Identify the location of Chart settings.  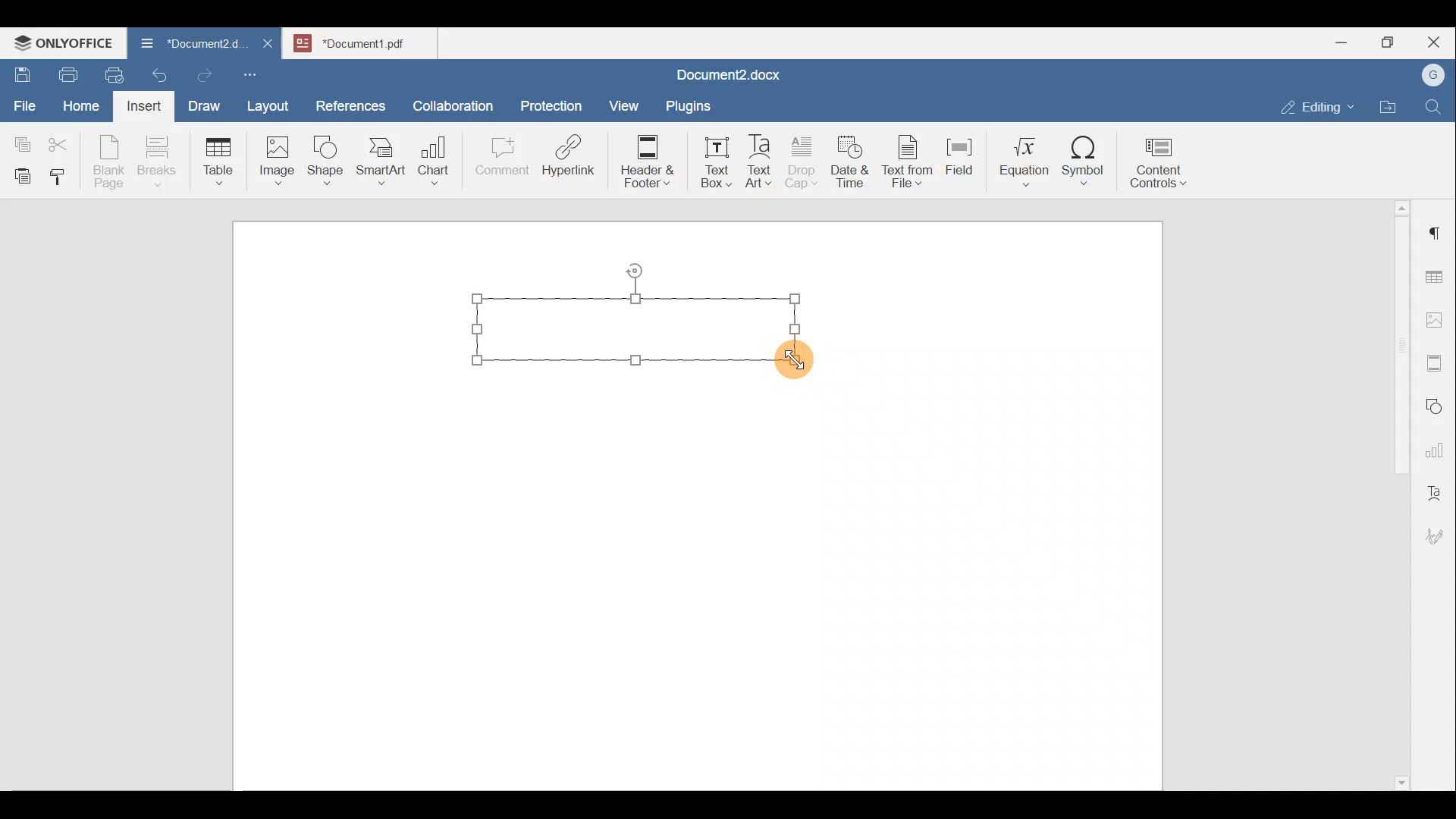
(1438, 444).